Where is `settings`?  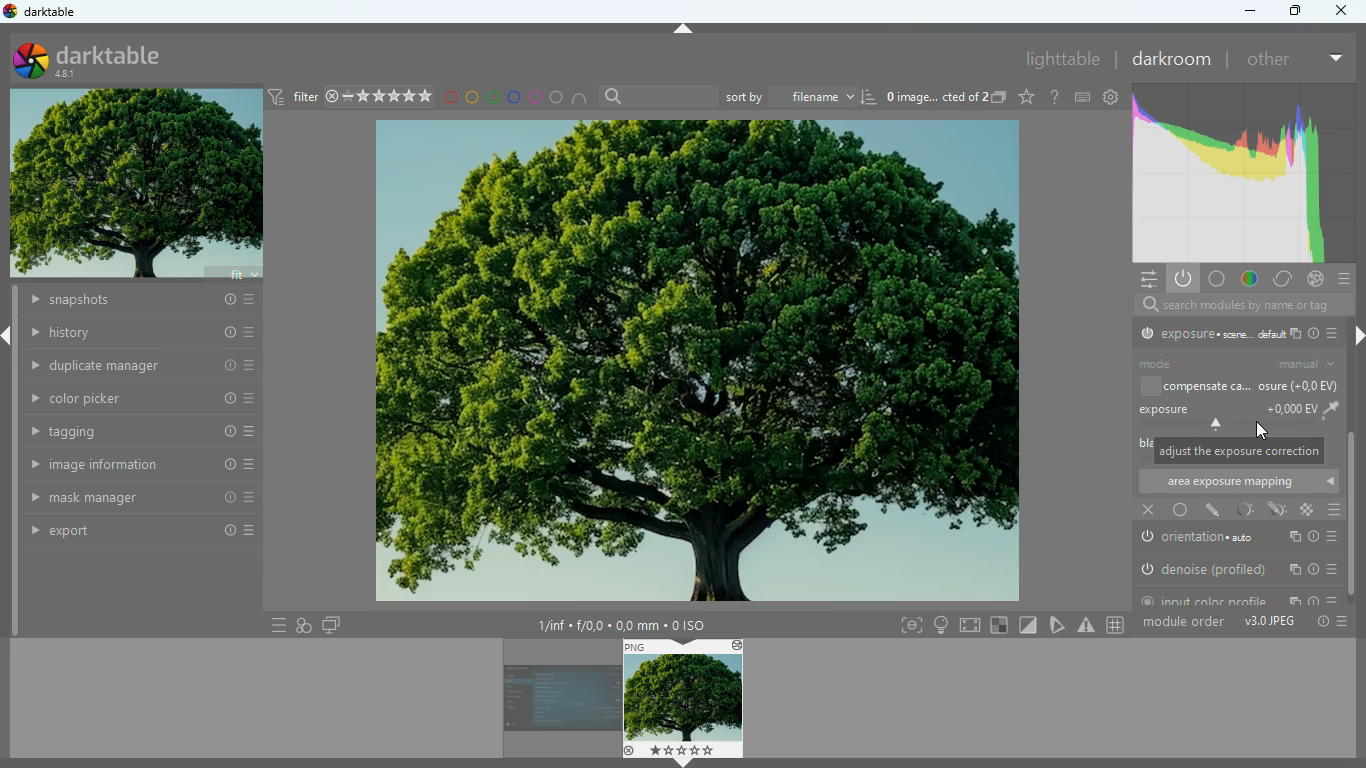 settings is located at coordinates (1113, 97).